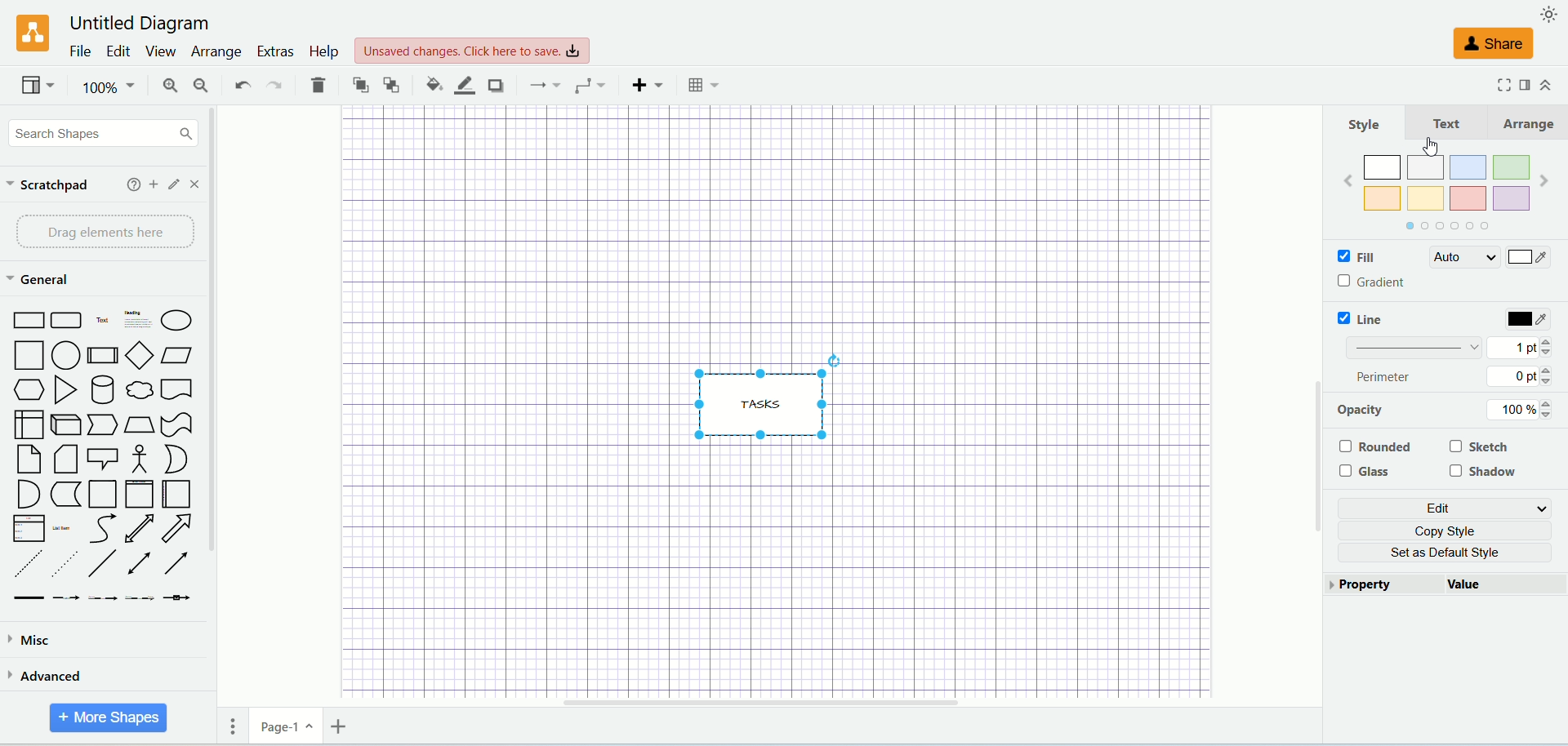  Describe the element at coordinates (67, 355) in the screenshot. I see `Circle` at that location.